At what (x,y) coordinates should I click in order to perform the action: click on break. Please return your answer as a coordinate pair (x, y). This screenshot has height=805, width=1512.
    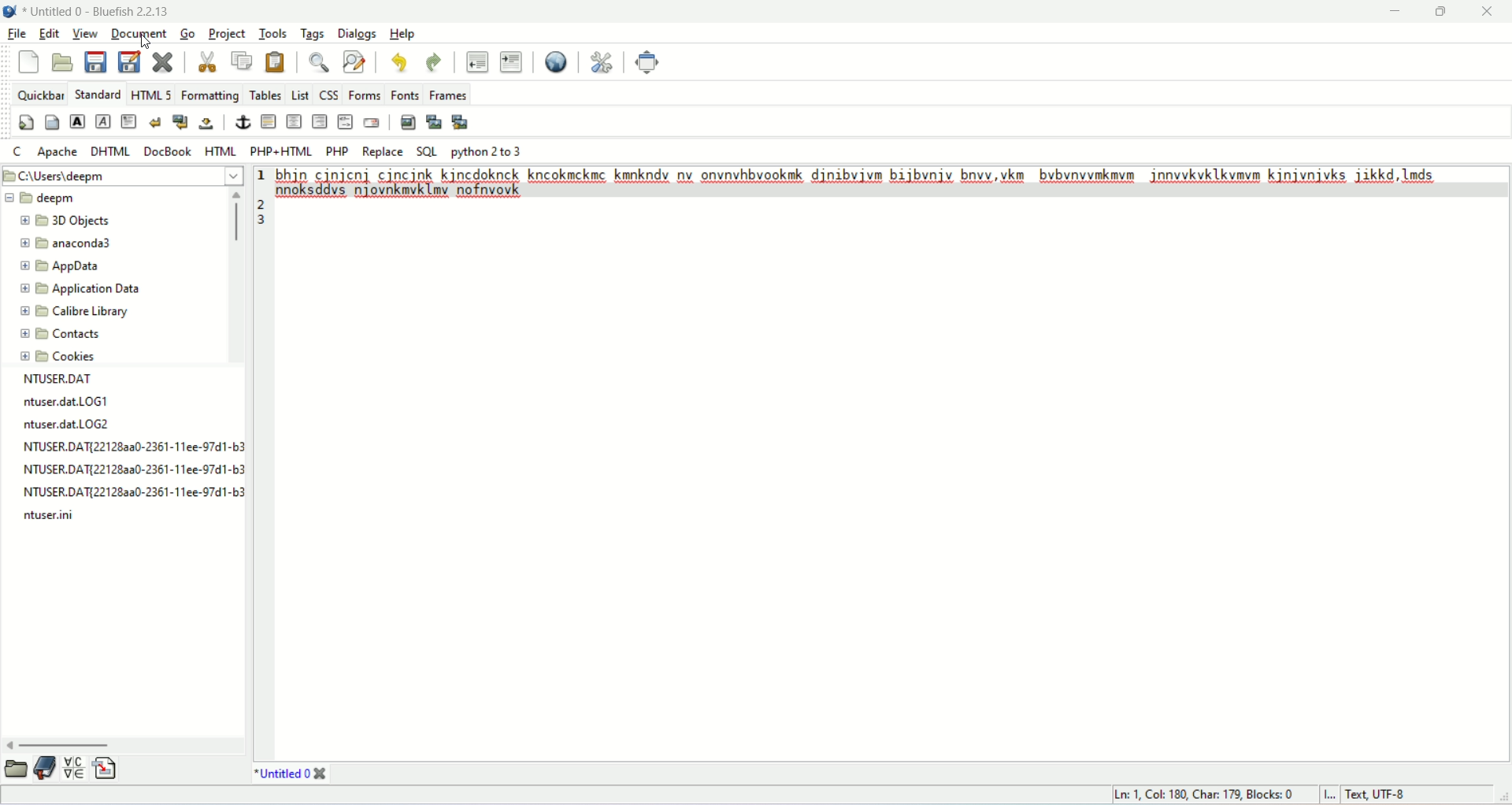
    Looking at the image, I should click on (154, 121).